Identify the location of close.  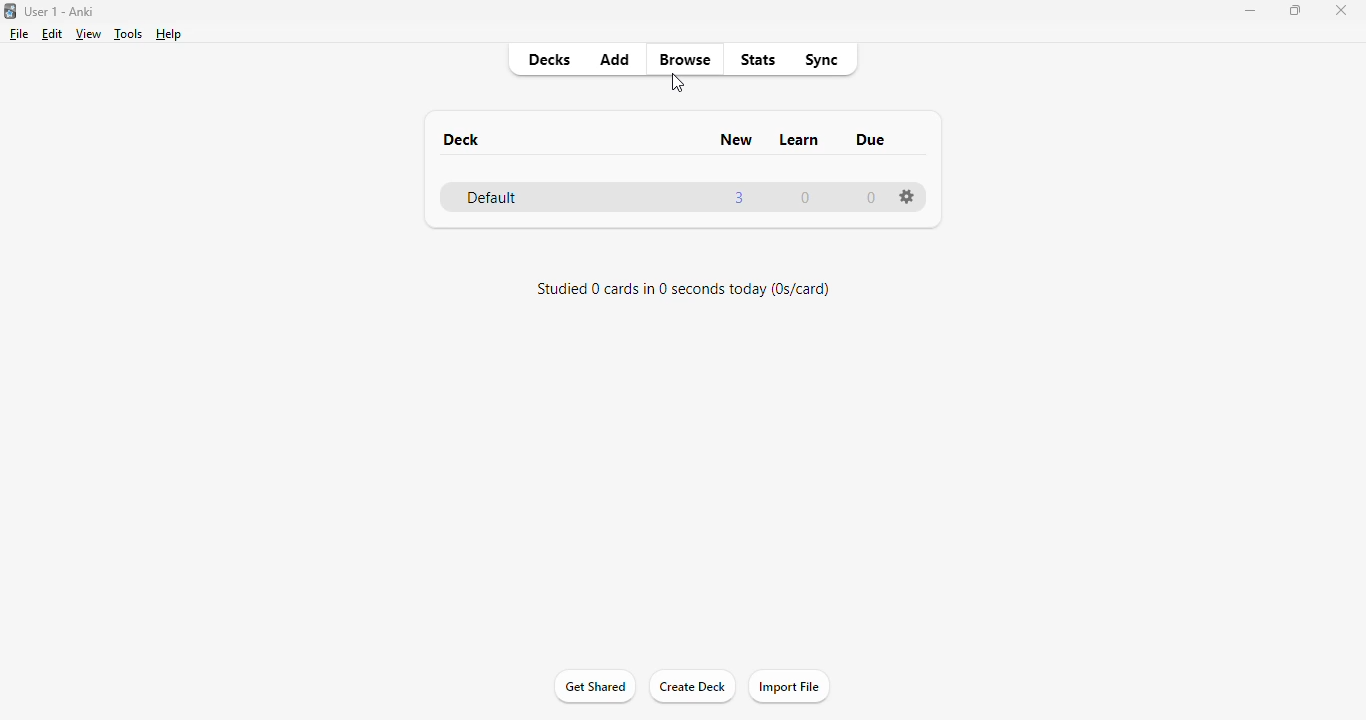
(1340, 9).